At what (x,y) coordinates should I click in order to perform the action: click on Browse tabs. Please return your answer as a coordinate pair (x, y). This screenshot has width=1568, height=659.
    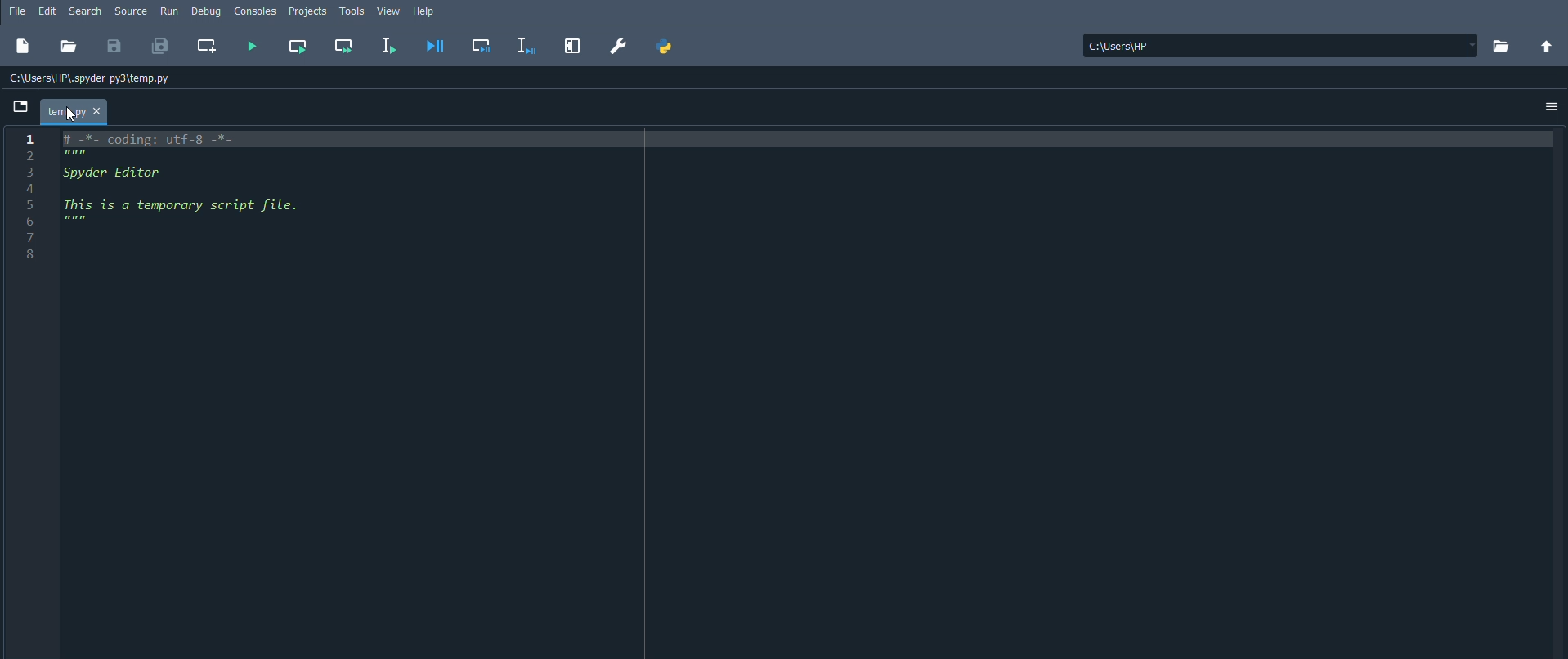
    Looking at the image, I should click on (20, 107).